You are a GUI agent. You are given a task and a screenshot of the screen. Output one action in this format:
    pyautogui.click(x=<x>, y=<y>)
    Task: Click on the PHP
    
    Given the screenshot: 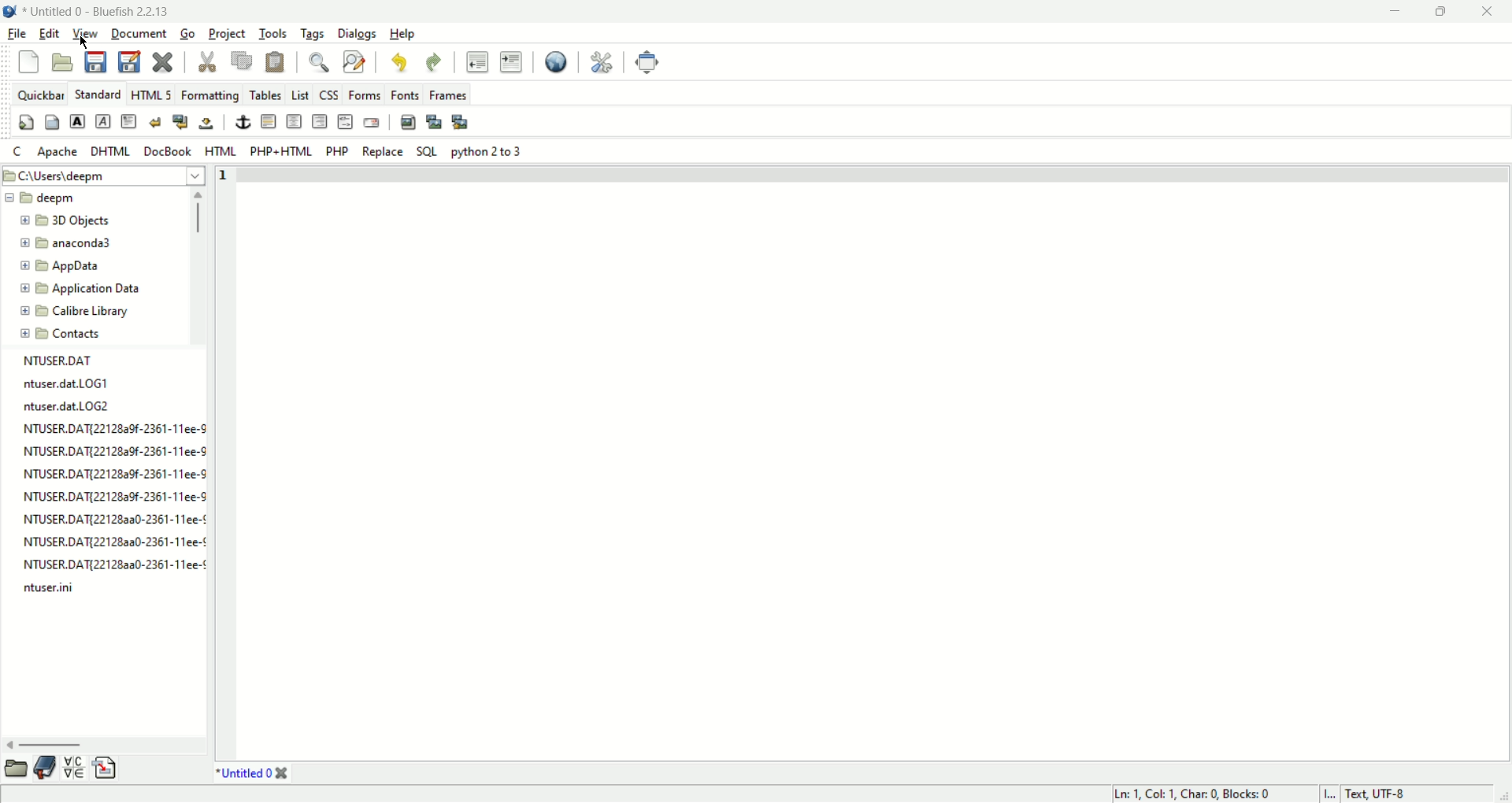 What is the action you would take?
    pyautogui.click(x=337, y=152)
    